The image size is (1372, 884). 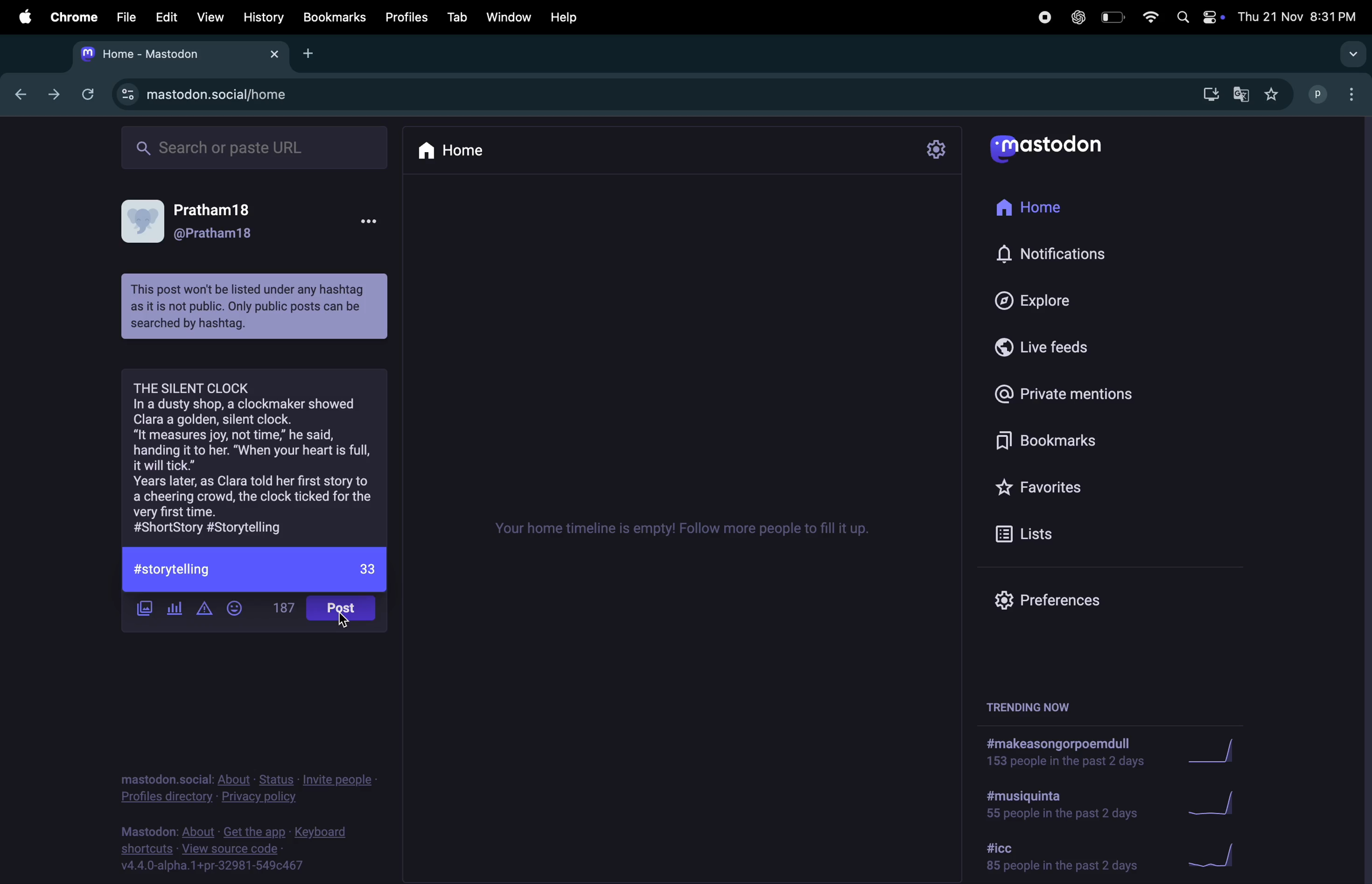 What do you see at coordinates (1069, 596) in the screenshot?
I see `prefrences` at bounding box center [1069, 596].